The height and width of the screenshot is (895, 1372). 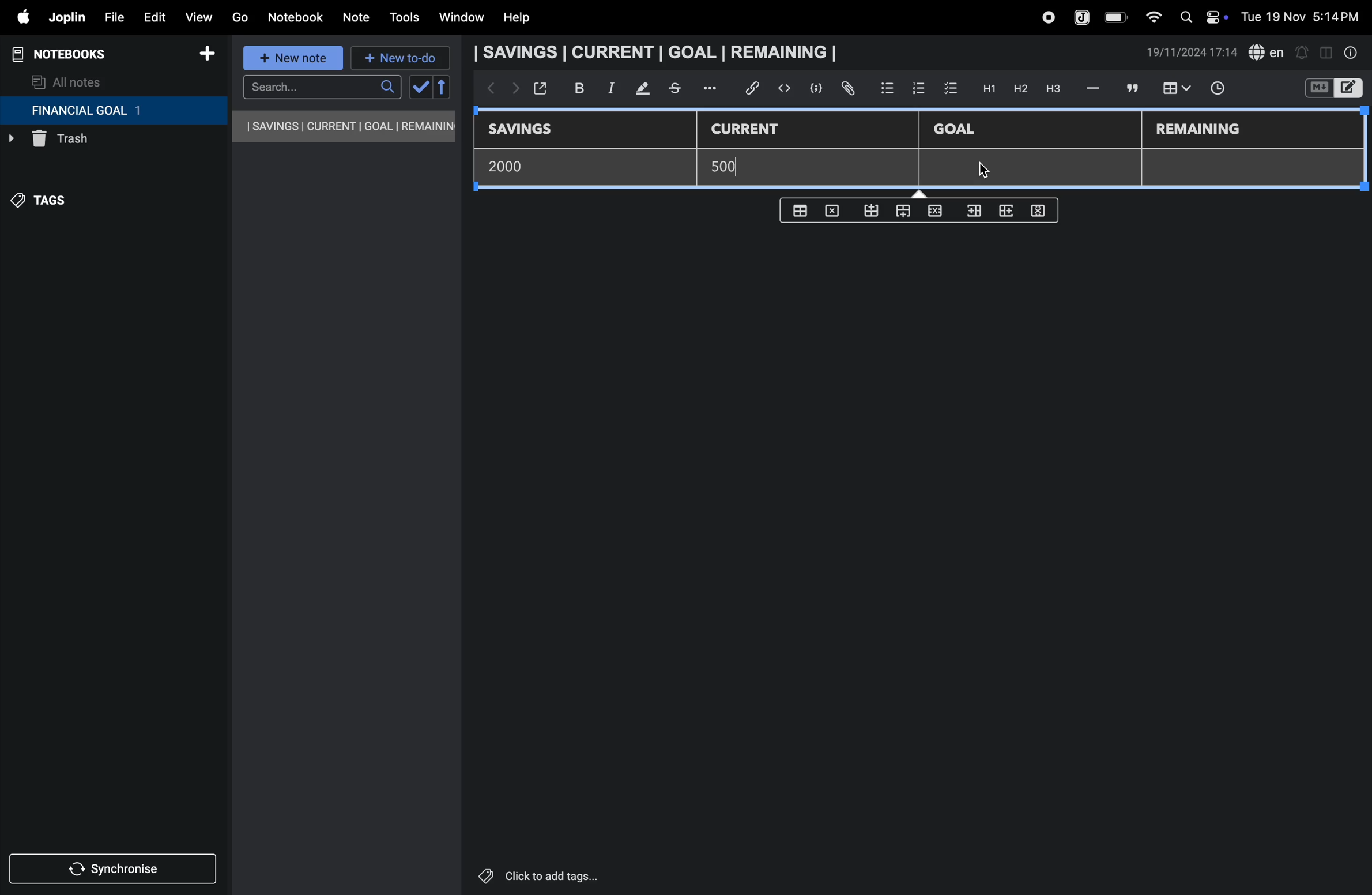 What do you see at coordinates (785, 88) in the screenshot?
I see `insert code` at bounding box center [785, 88].